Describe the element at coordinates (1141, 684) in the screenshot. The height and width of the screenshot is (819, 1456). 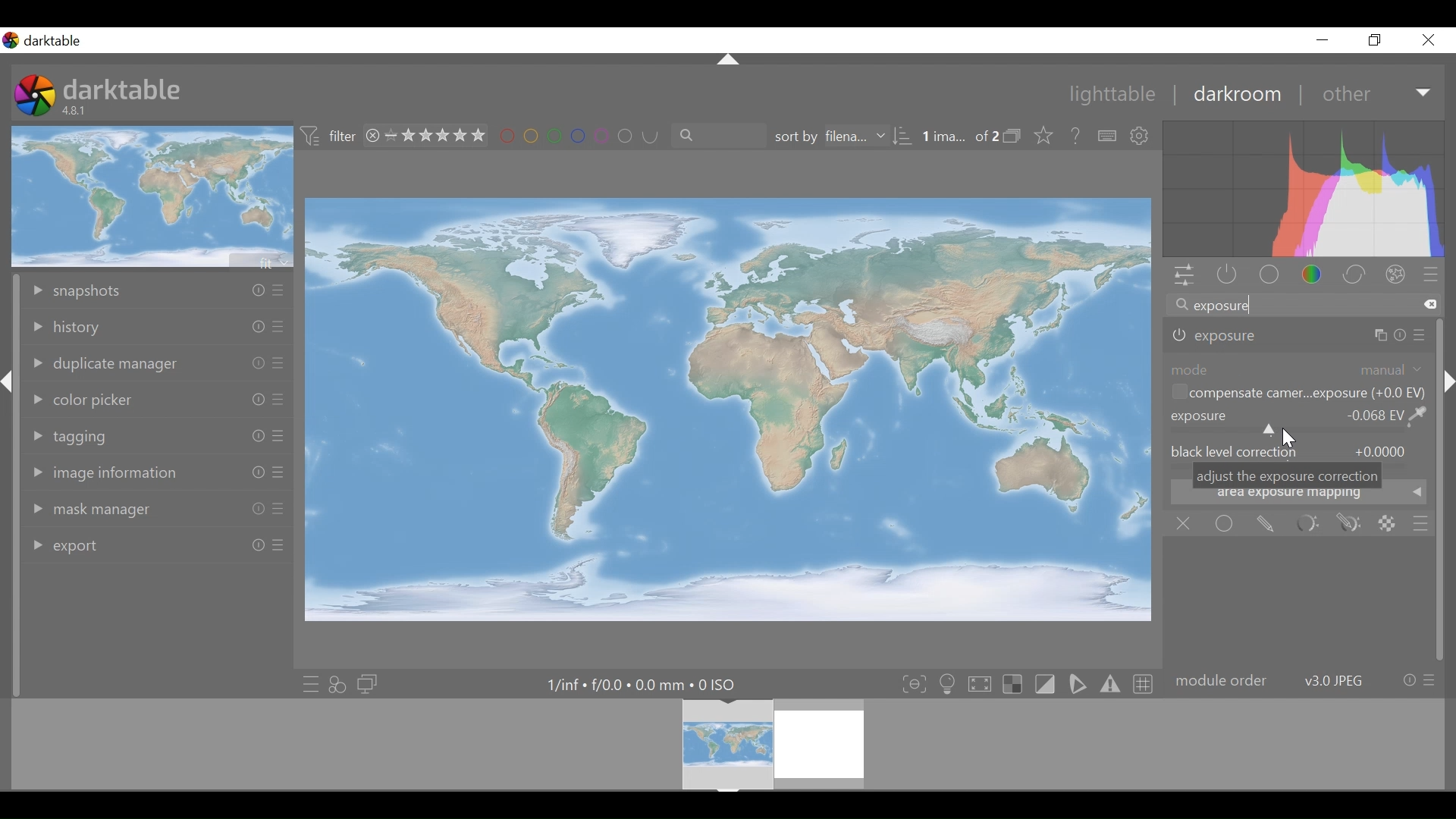
I see `toggle guide lines` at that location.